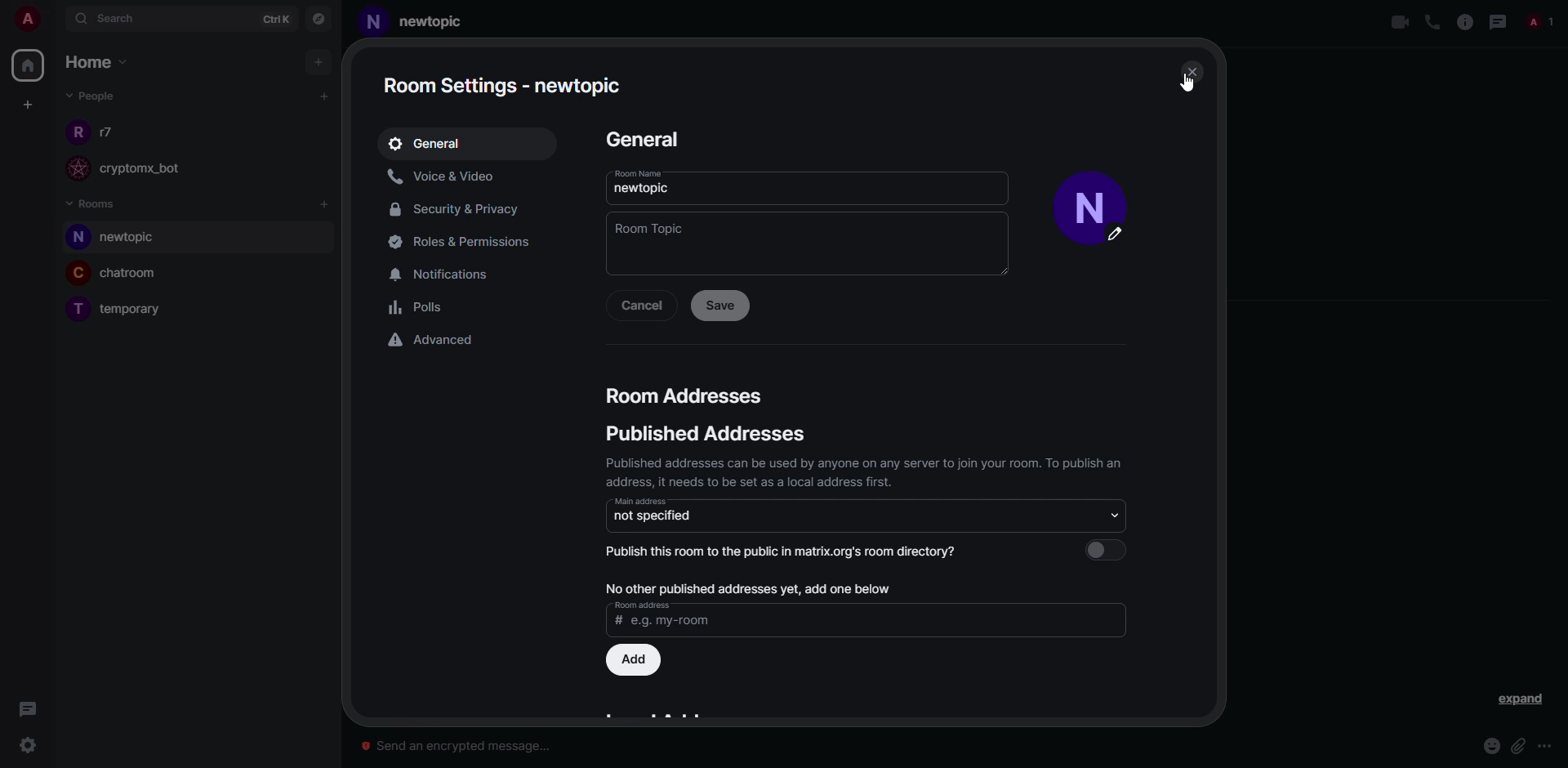  Describe the element at coordinates (746, 586) in the screenshot. I see `add` at that location.